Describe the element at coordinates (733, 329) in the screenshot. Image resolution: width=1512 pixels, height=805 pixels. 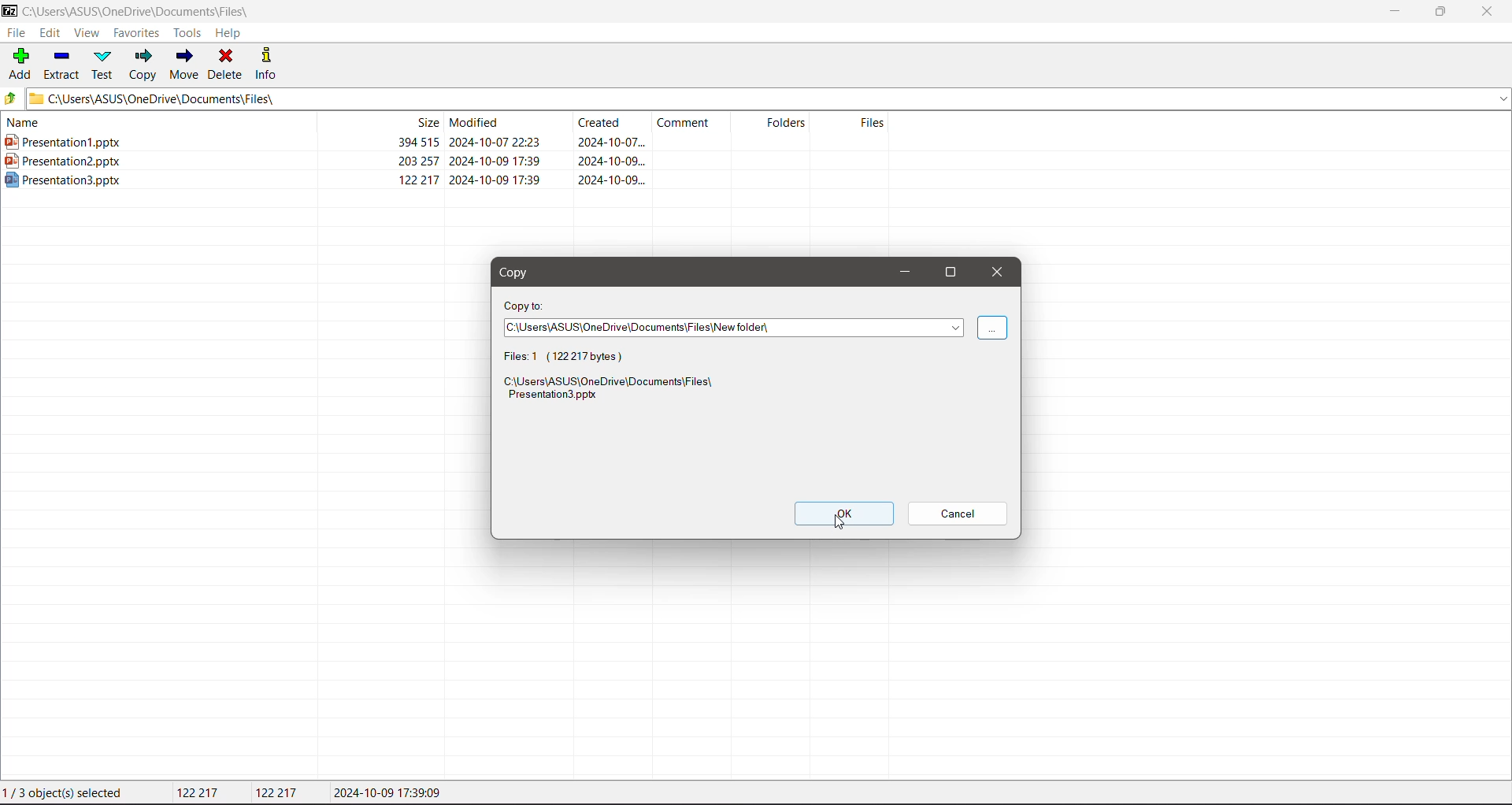
I see `Set the required path to paste the copied file to` at that location.